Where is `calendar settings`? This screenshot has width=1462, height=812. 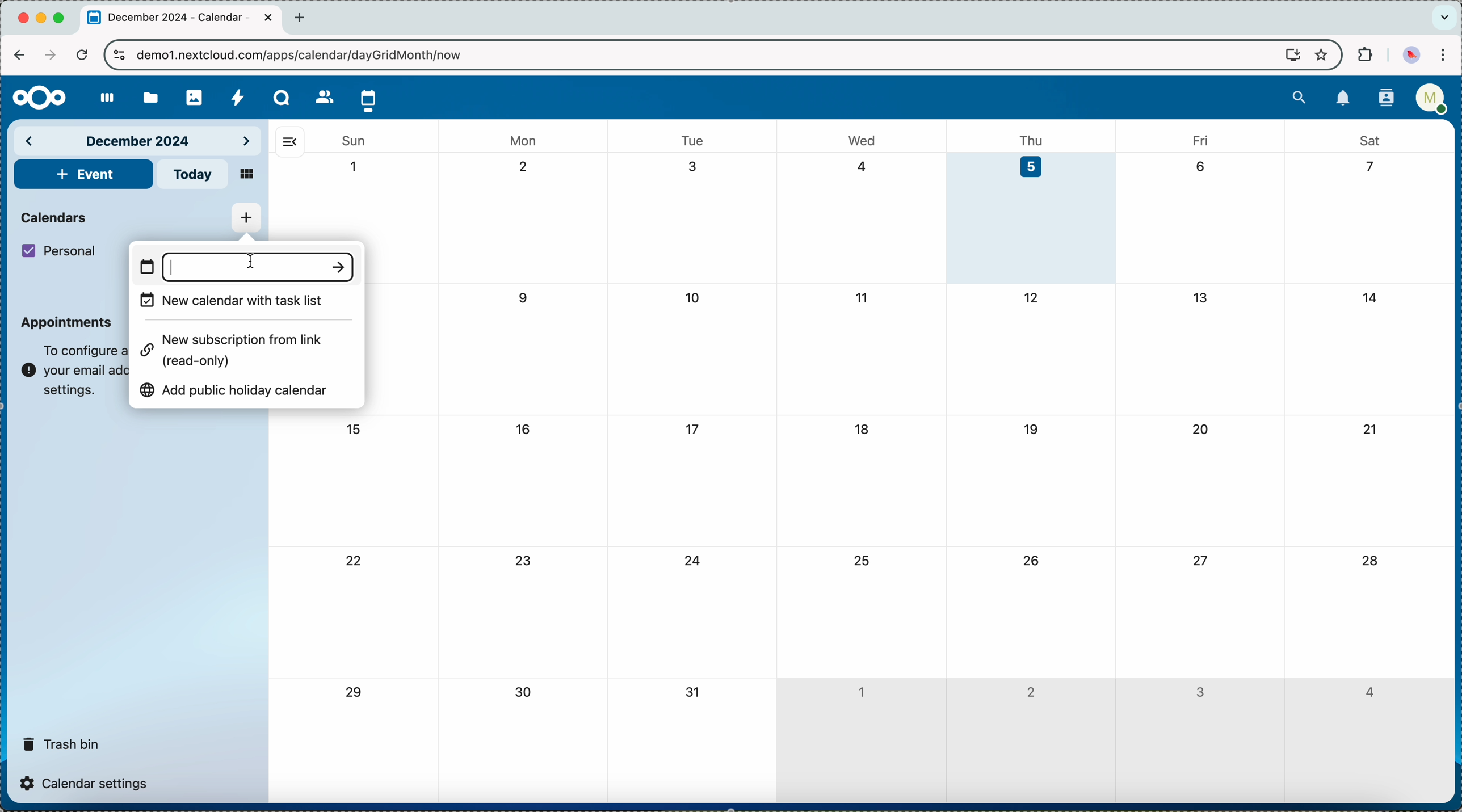
calendar settings is located at coordinates (87, 782).